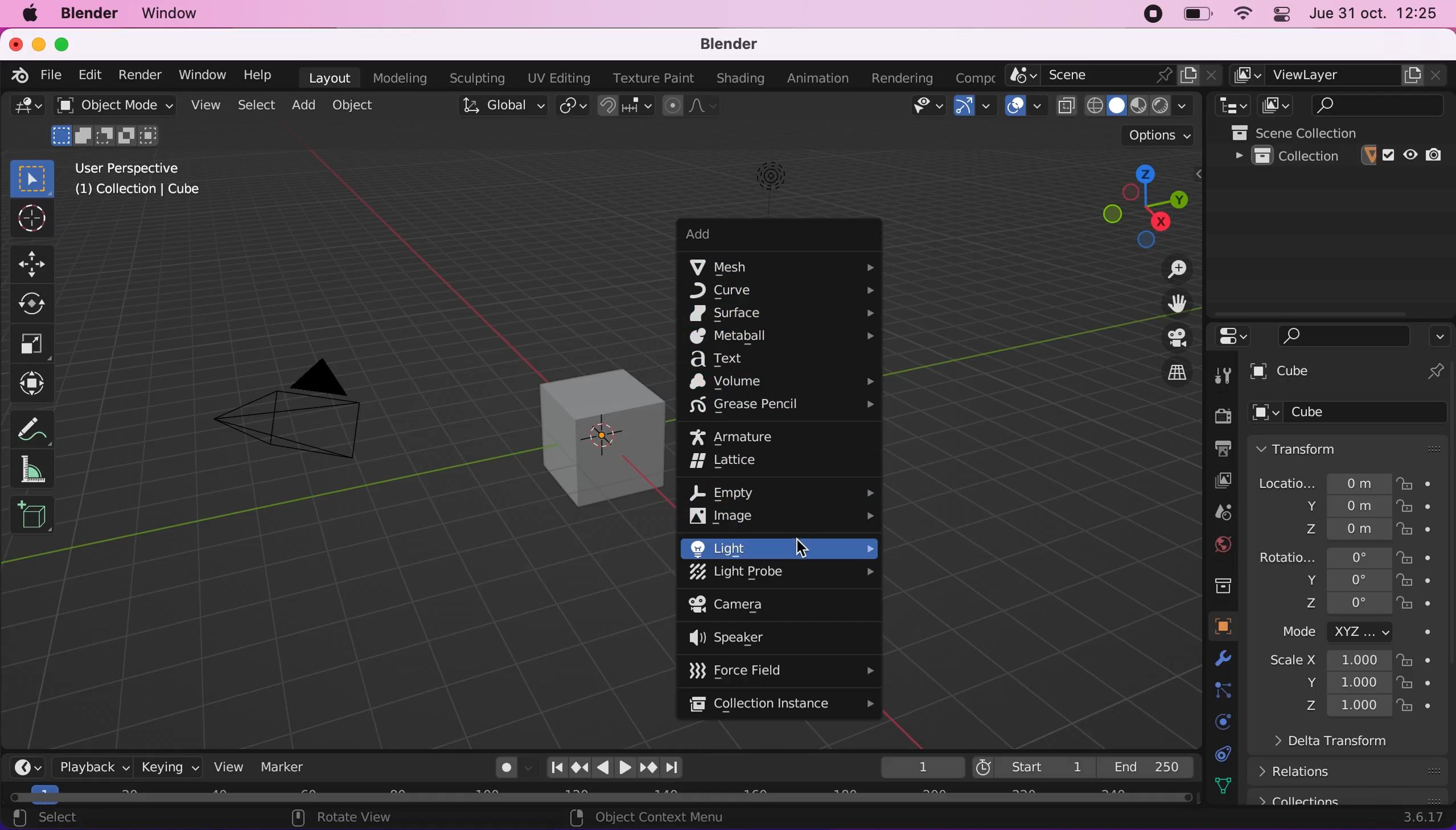 The height and width of the screenshot is (830, 1456). What do you see at coordinates (1337, 507) in the screenshot?
I see `y 0m` at bounding box center [1337, 507].